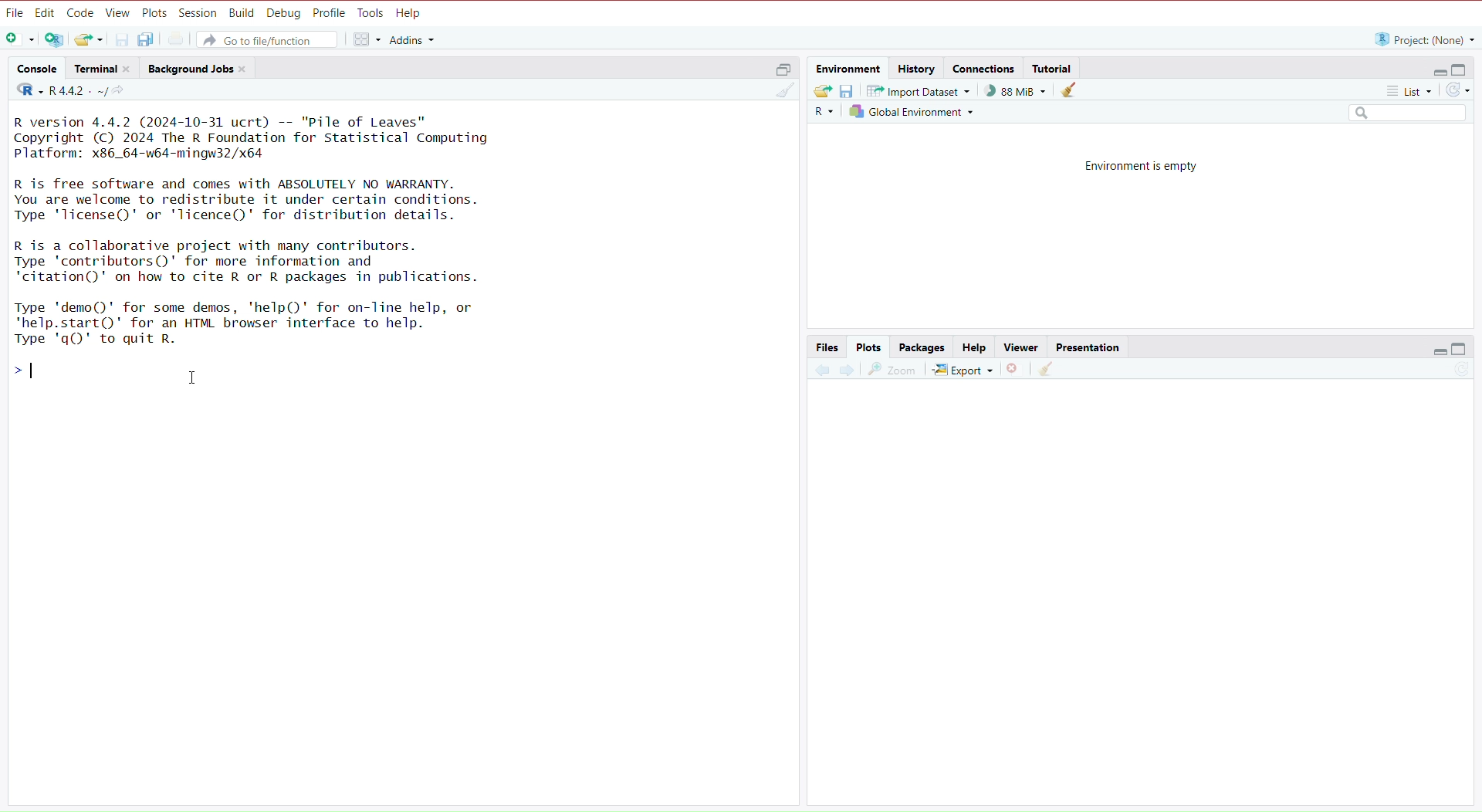  Describe the element at coordinates (198, 13) in the screenshot. I see `Session` at that location.